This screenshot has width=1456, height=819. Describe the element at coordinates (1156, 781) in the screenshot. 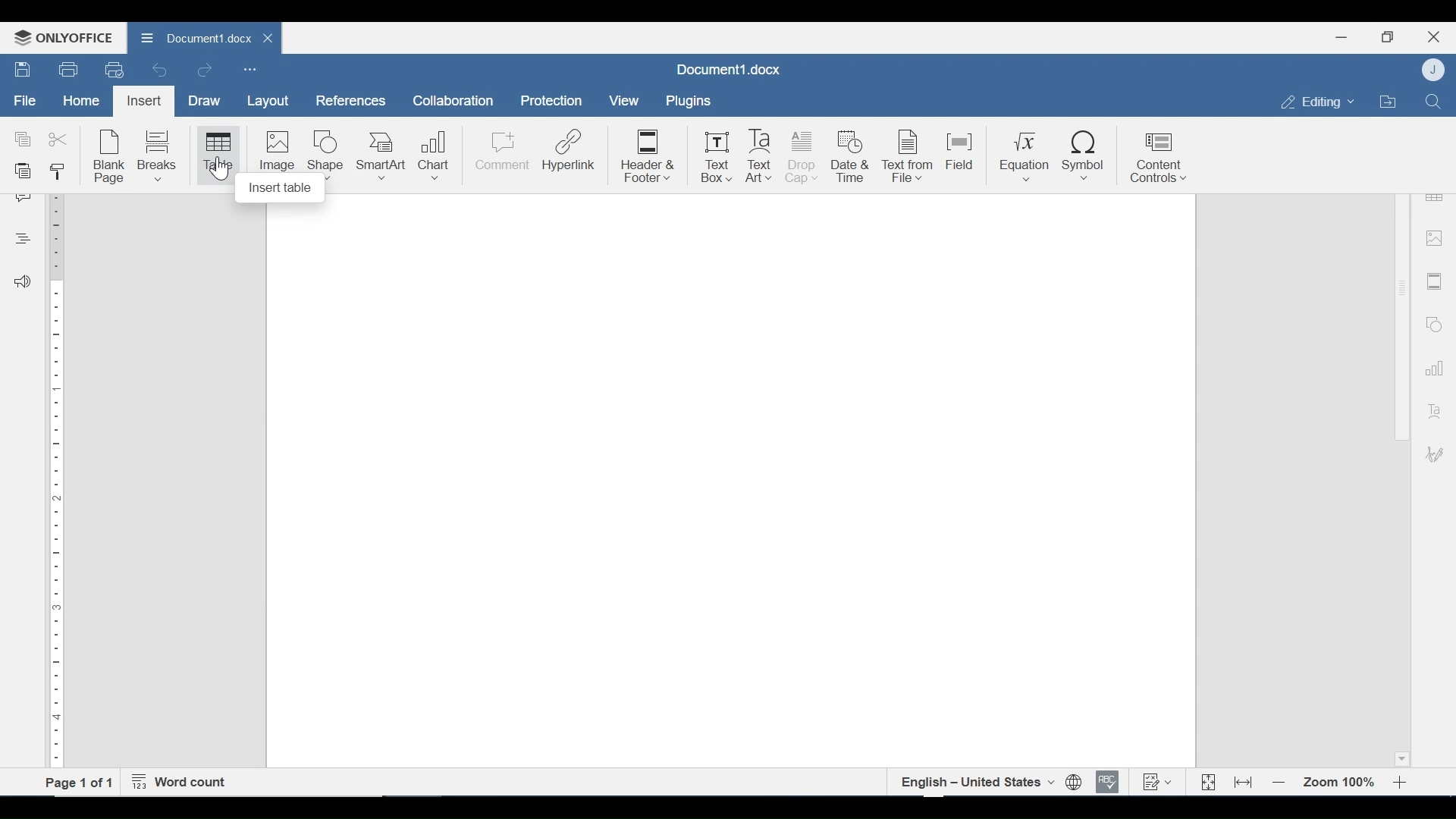

I see `Track Changes` at that location.